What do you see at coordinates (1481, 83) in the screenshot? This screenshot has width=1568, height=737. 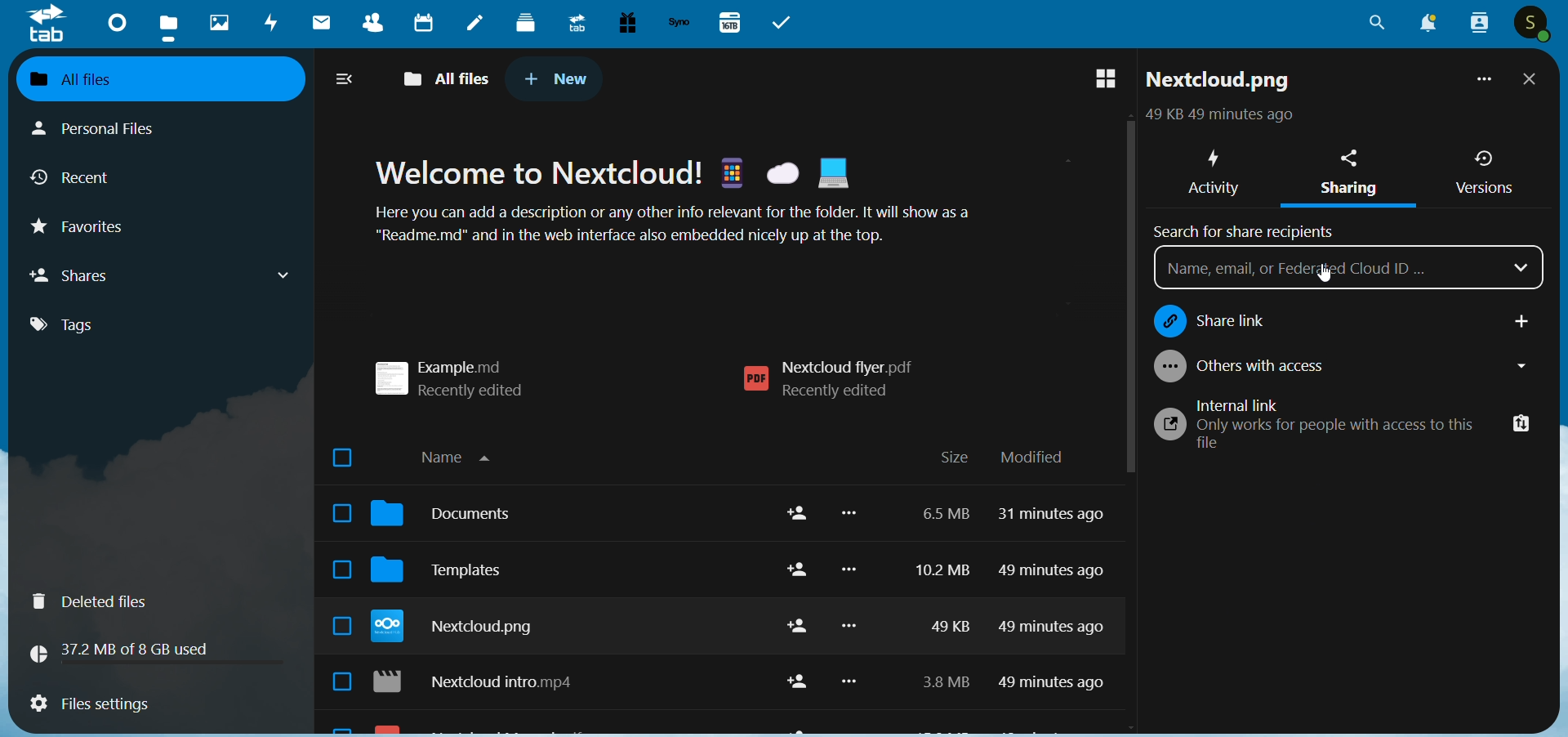 I see `more` at bounding box center [1481, 83].